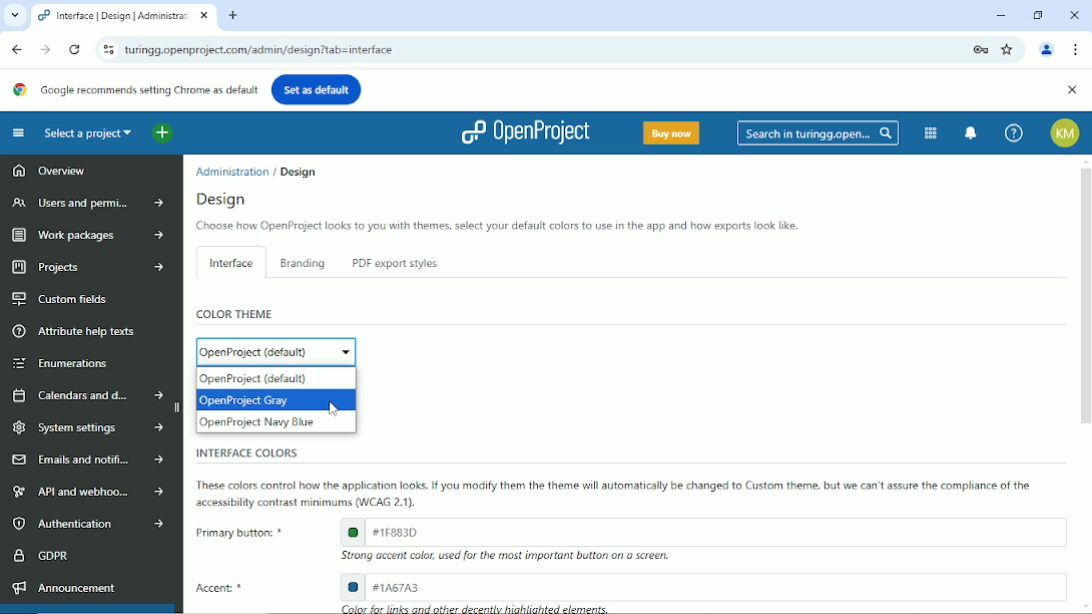  Describe the element at coordinates (1048, 48) in the screenshot. I see `Account` at that location.